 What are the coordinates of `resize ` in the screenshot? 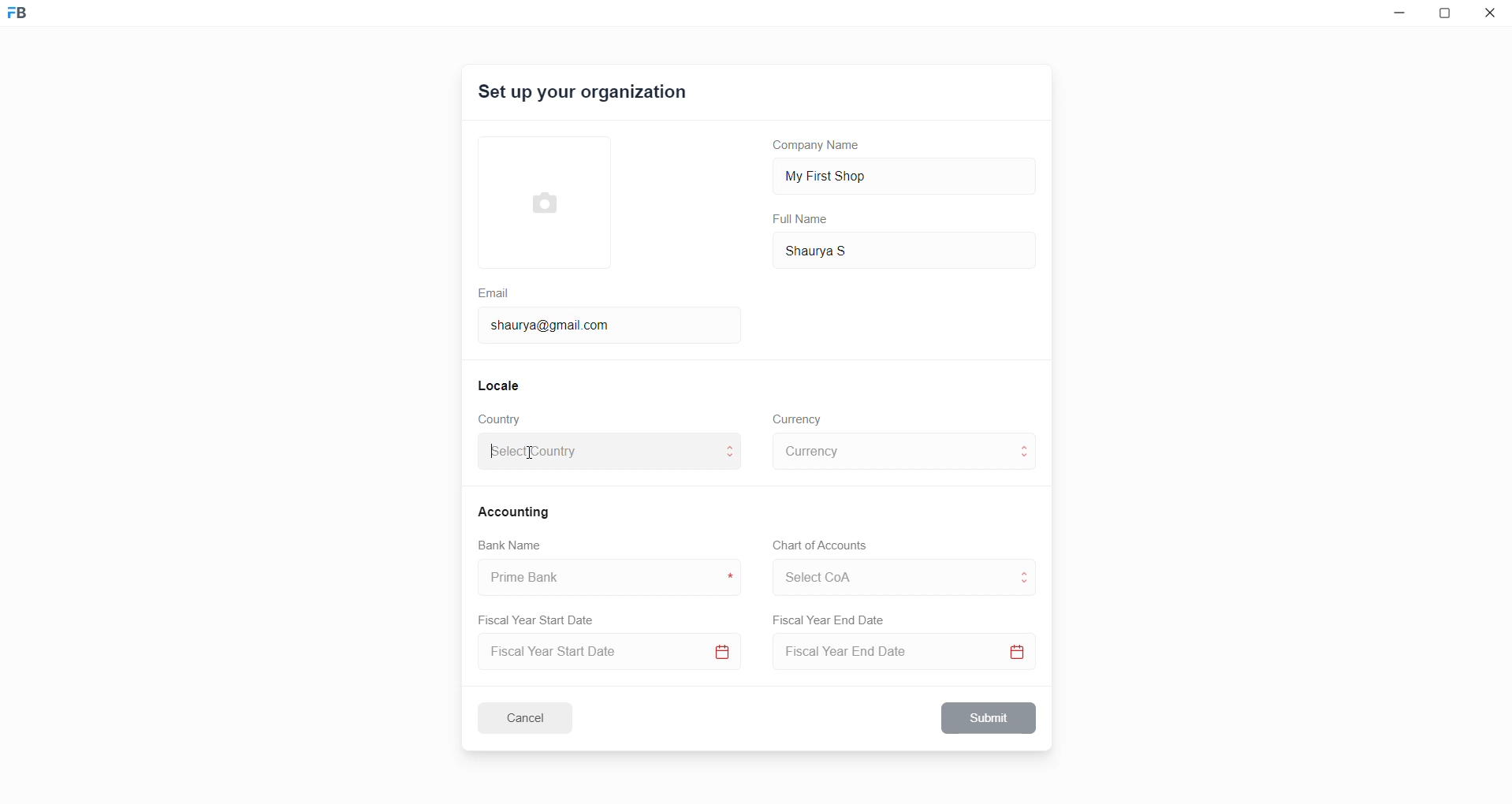 It's located at (1449, 16).